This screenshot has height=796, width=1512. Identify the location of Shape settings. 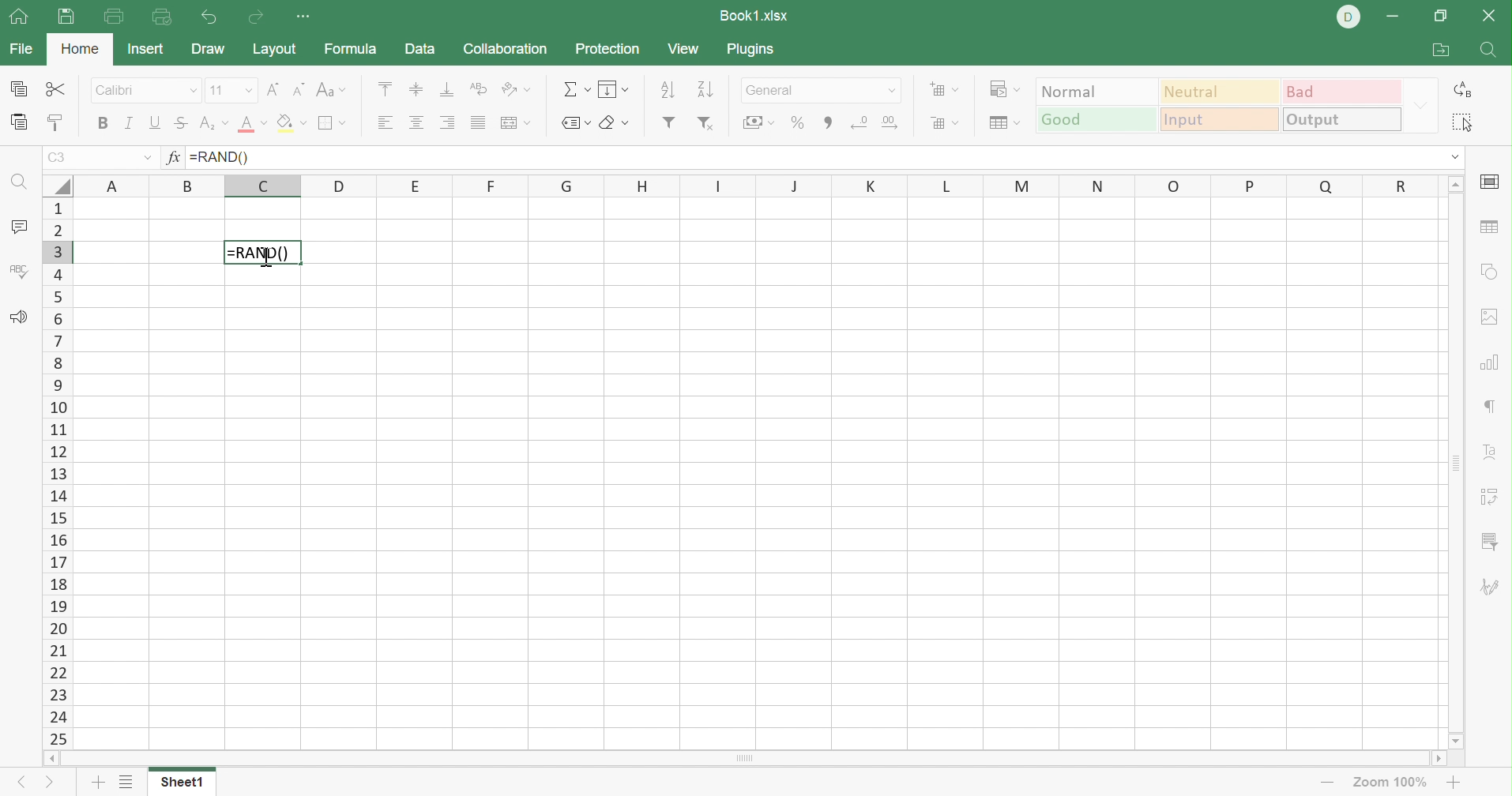
(1488, 272).